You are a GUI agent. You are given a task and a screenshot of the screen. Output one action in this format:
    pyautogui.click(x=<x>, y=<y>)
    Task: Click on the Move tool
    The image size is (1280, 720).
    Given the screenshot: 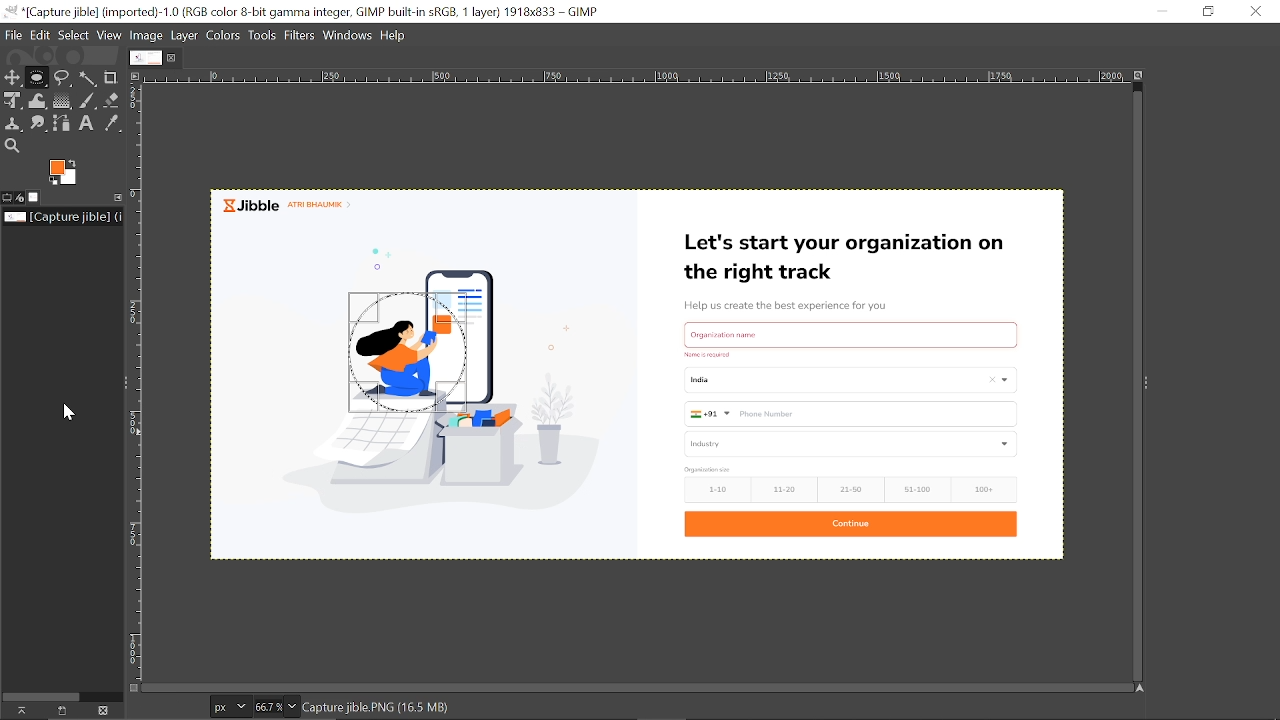 What is the action you would take?
    pyautogui.click(x=12, y=76)
    